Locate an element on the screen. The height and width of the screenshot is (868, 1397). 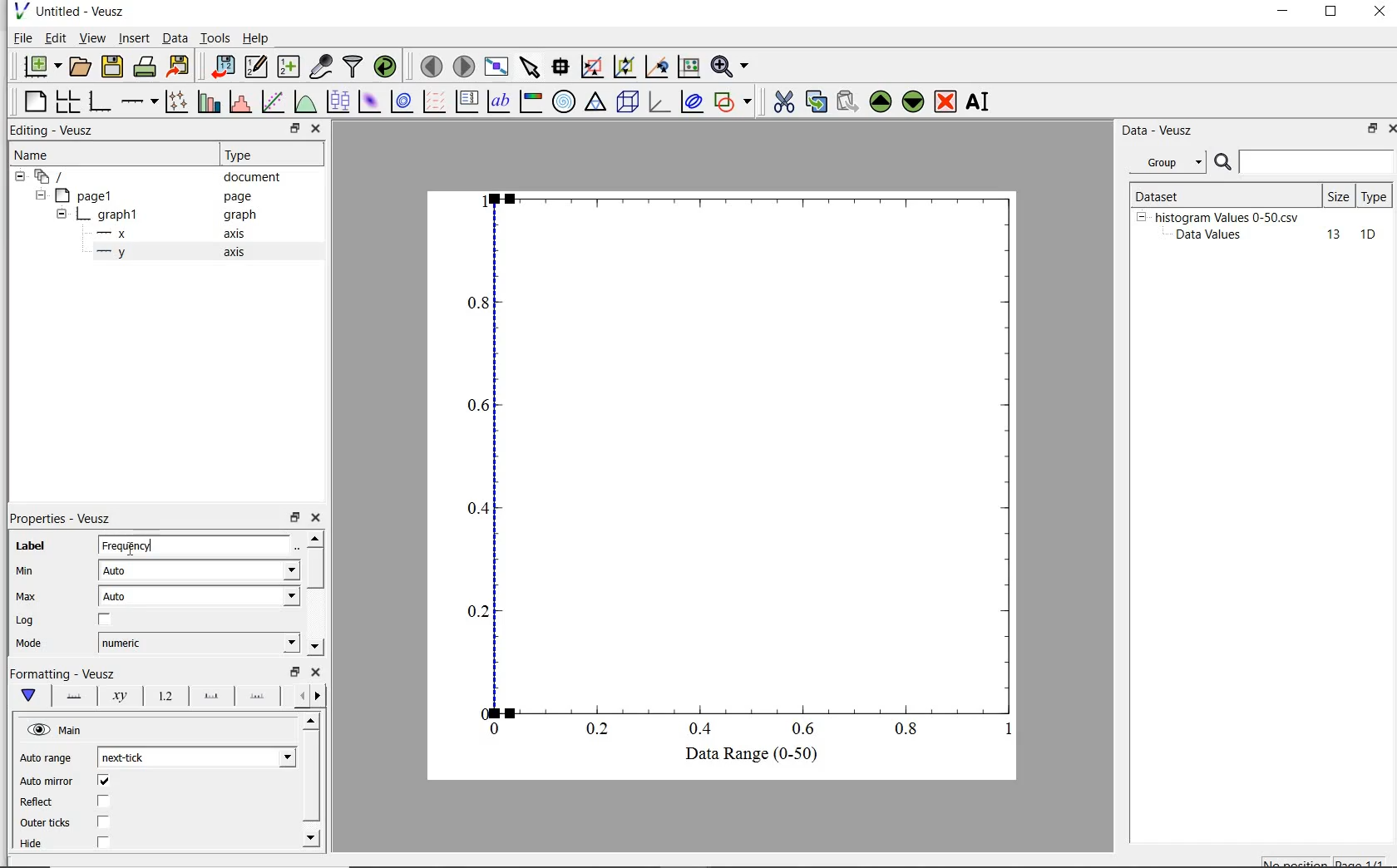
| Hide is located at coordinates (30, 844).